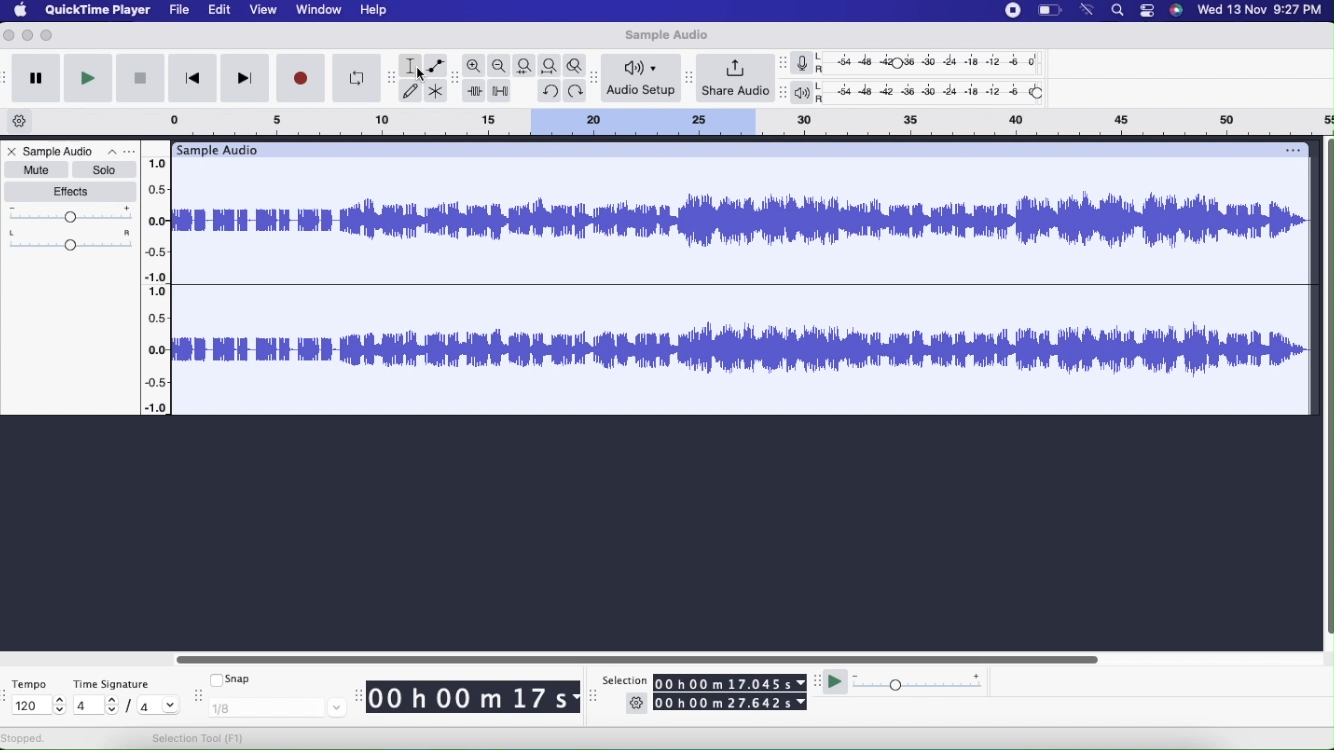 The image size is (1334, 750). What do you see at coordinates (264, 11) in the screenshot?
I see `View` at bounding box center [264, 11].